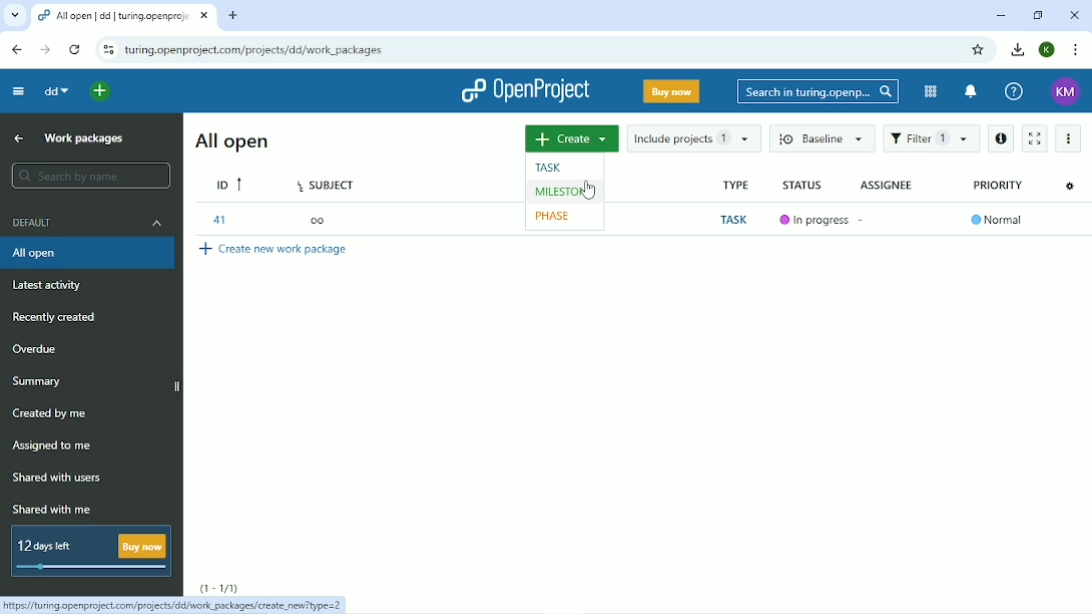 The height and width of the screenshot is (614, 1092). Describe the element at coordinates (555, 218) in the screenshot. I see `Phase` at that location.